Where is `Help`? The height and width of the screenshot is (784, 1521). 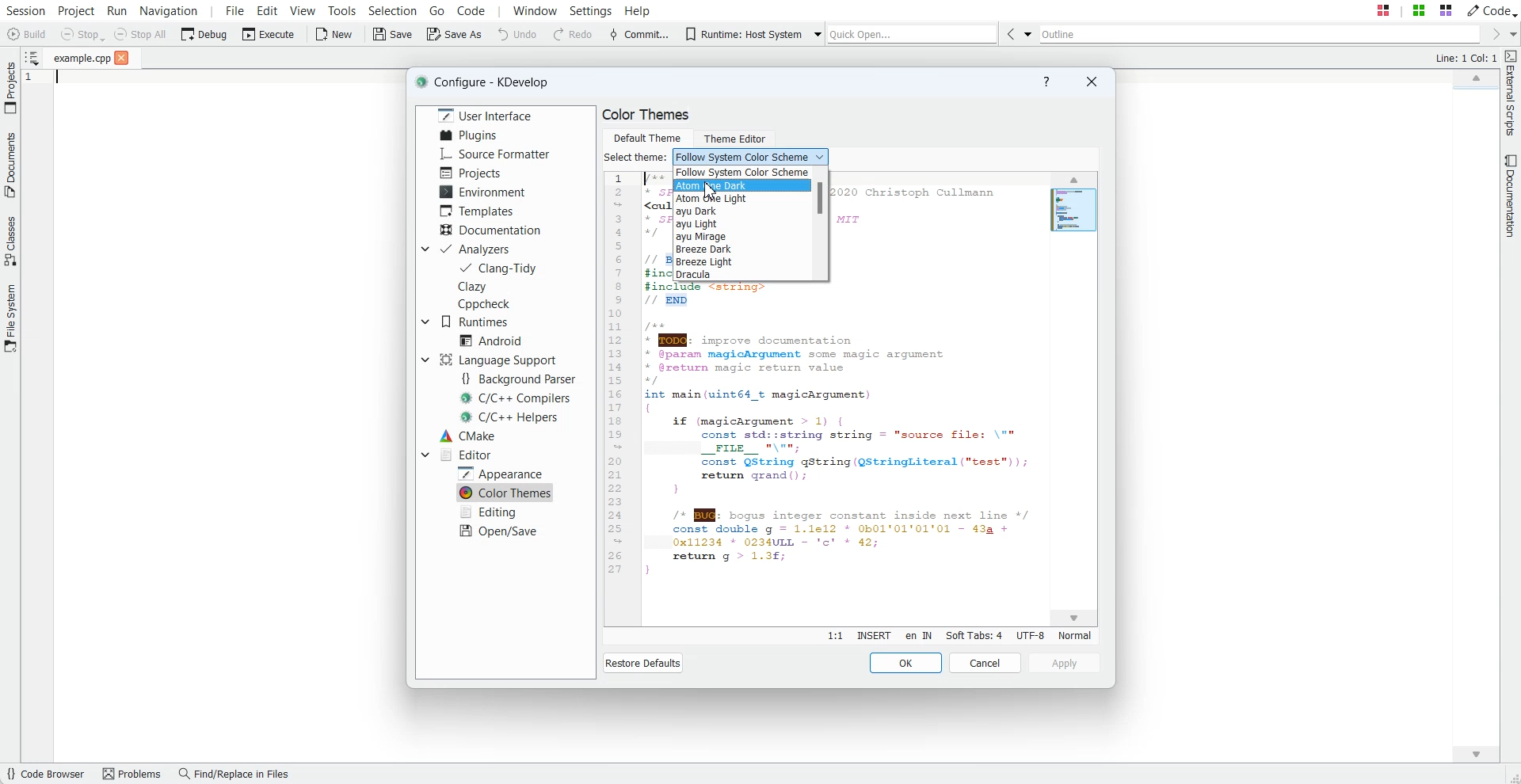 Help is located at coordinates (1046, 82).